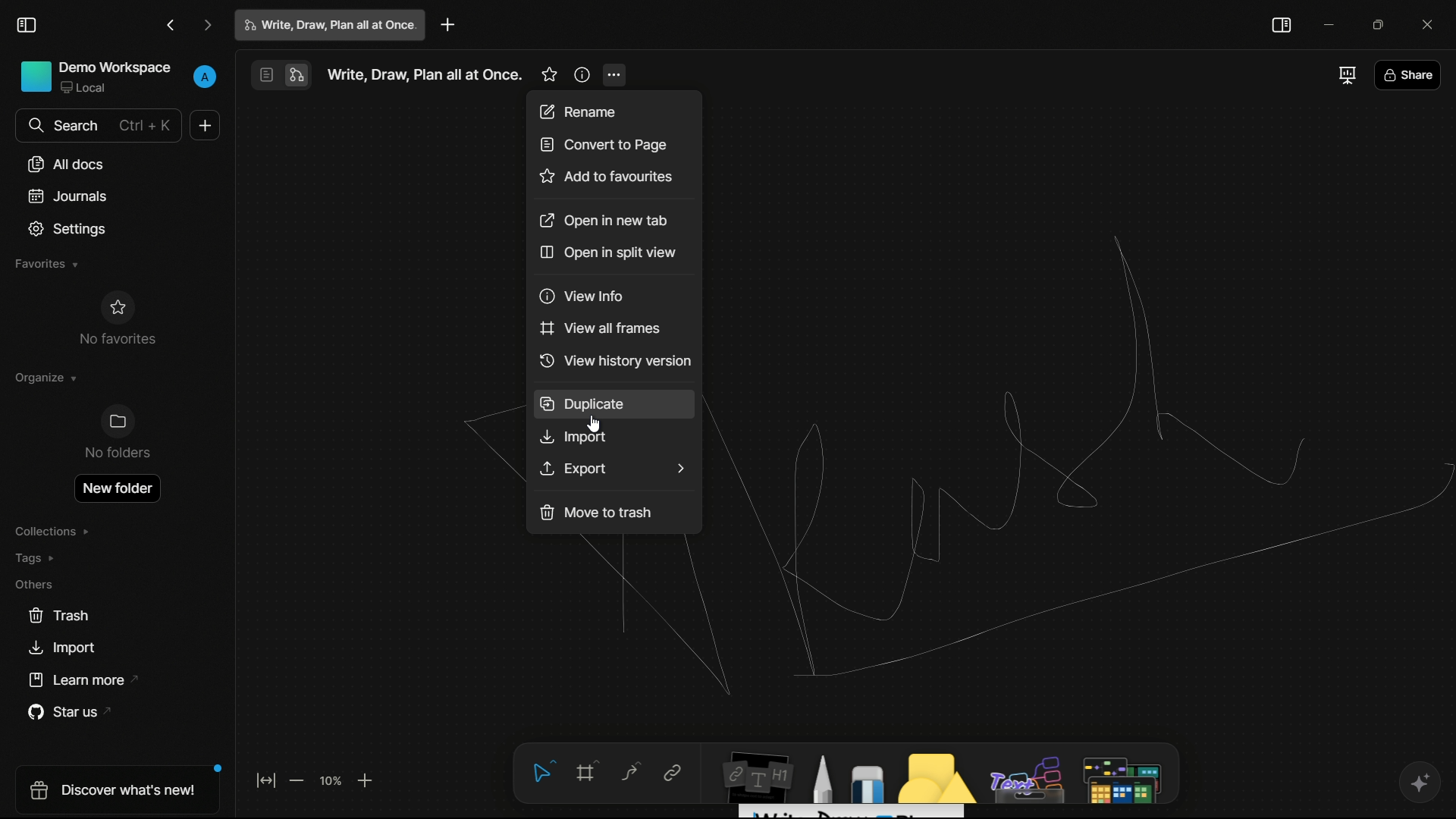 The height and width of the screenshot is (819, 1456). Describe the element at coordinates (265, 780) in the screenshot. I see `fit to screen` at that location.